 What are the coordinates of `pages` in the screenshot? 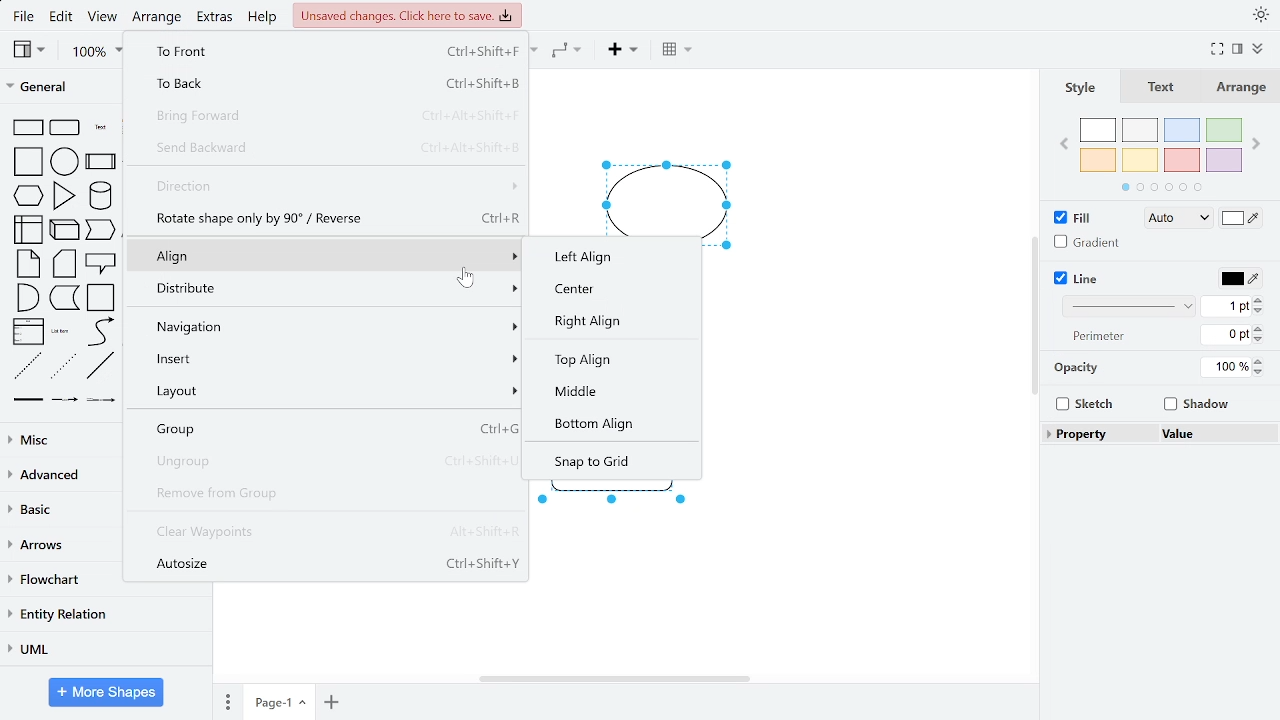 It's located at (225, 702).